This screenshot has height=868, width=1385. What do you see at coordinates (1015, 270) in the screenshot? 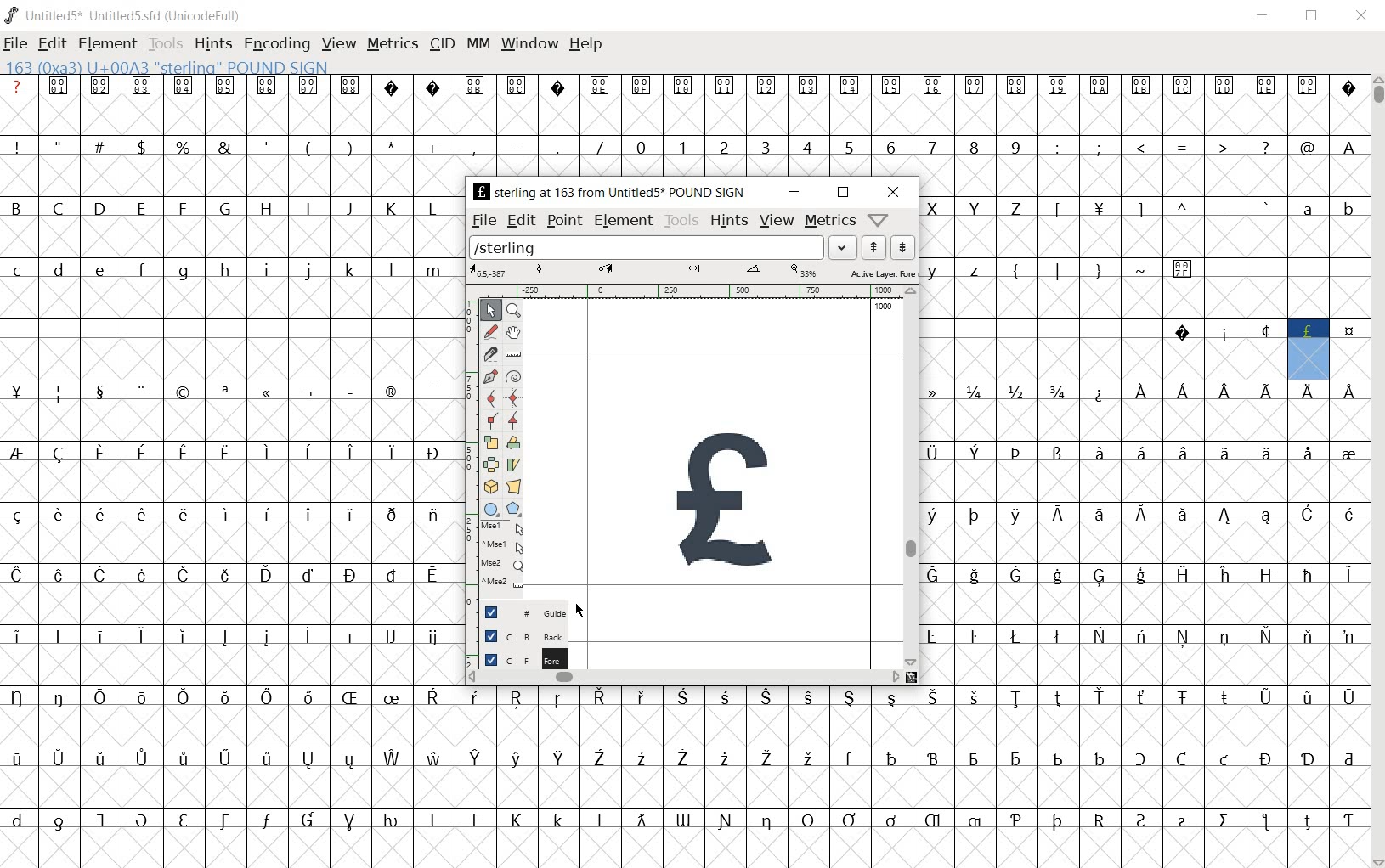
I see `{` at bounding box center [1015, 270].